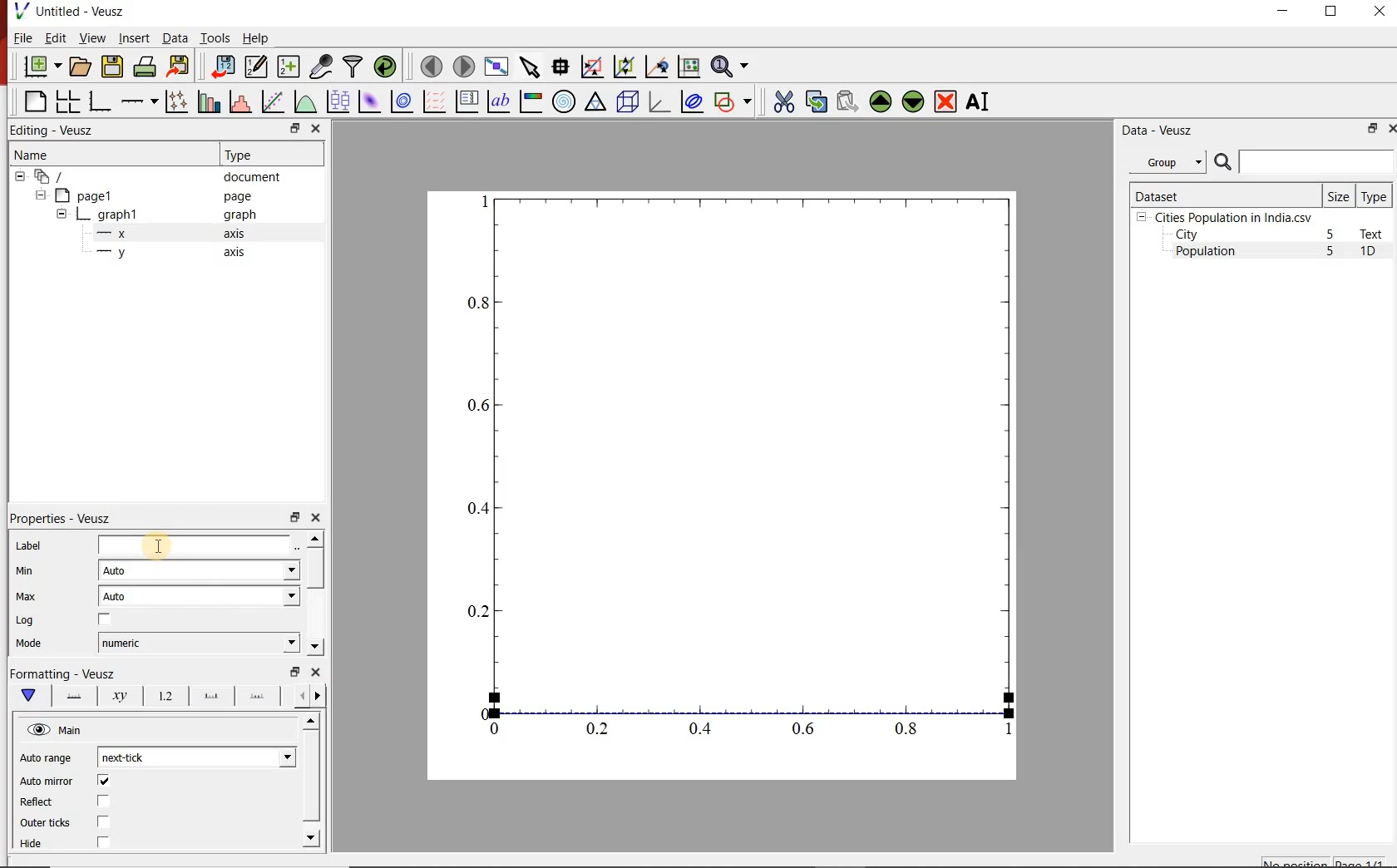  I want to click on remove the selected widgets, so click(947, 101).